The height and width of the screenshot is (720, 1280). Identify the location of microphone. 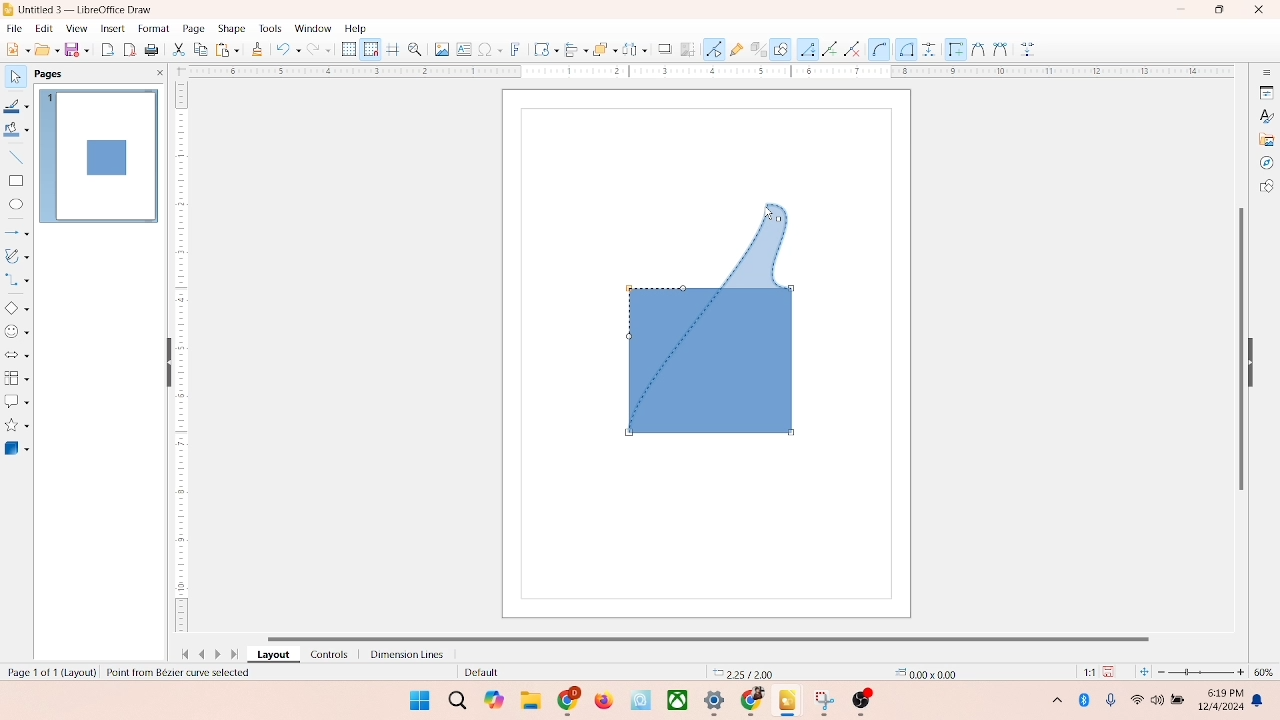
(1112, 701).